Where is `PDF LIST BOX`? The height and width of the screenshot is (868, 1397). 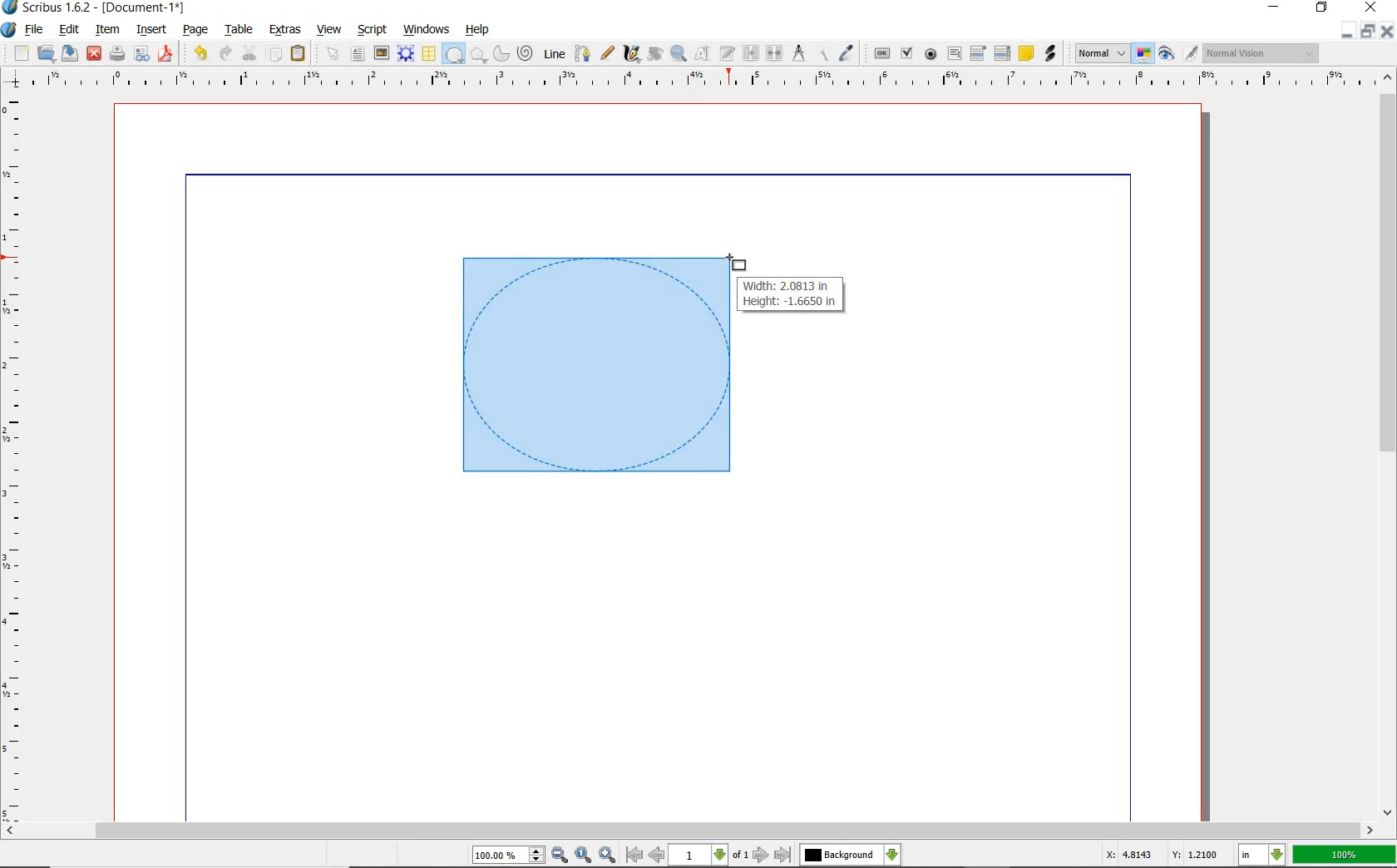 PDF LIST BOX is located at coordinates (1004, 53).